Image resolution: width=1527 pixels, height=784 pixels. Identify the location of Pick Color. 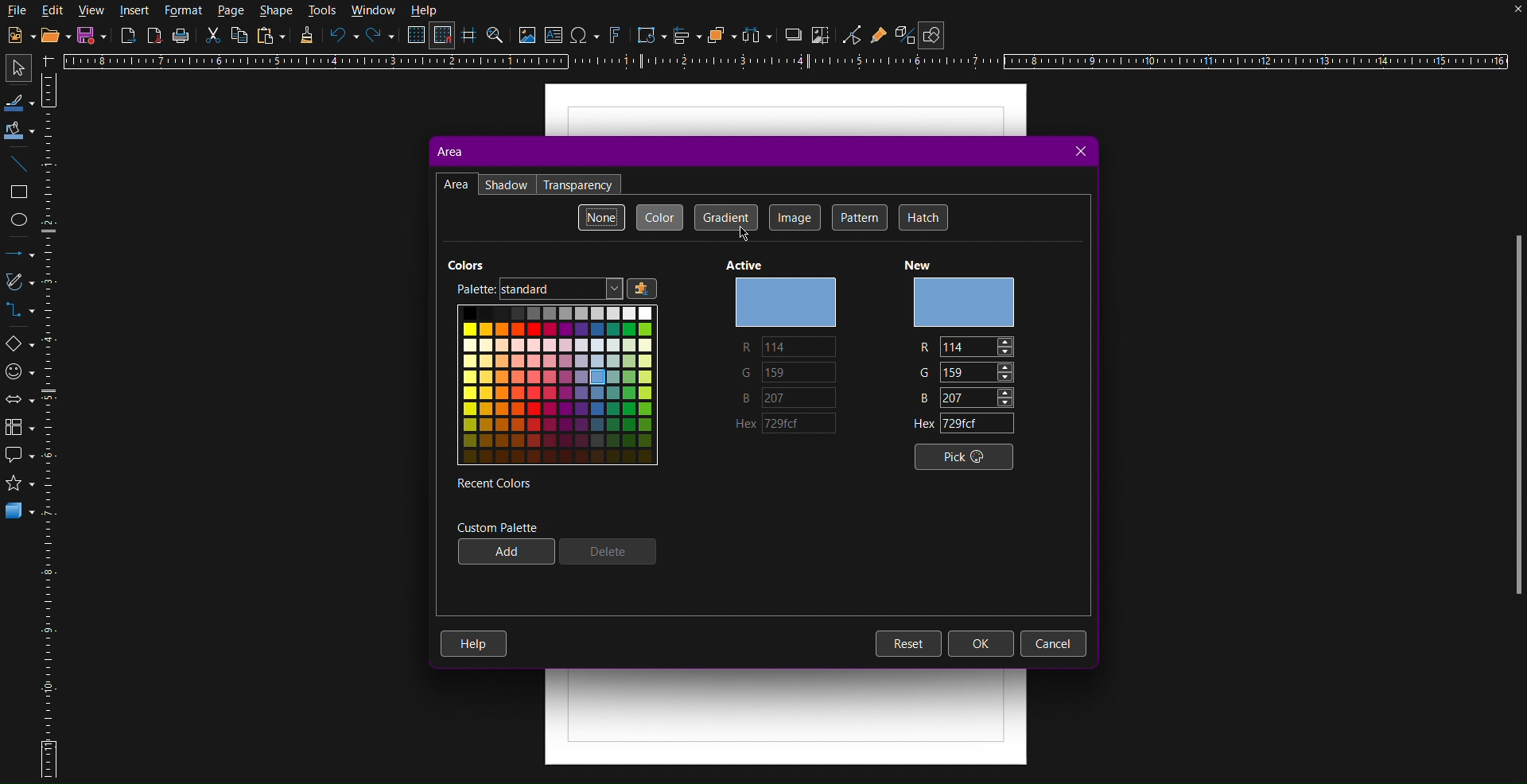
(965, 456).